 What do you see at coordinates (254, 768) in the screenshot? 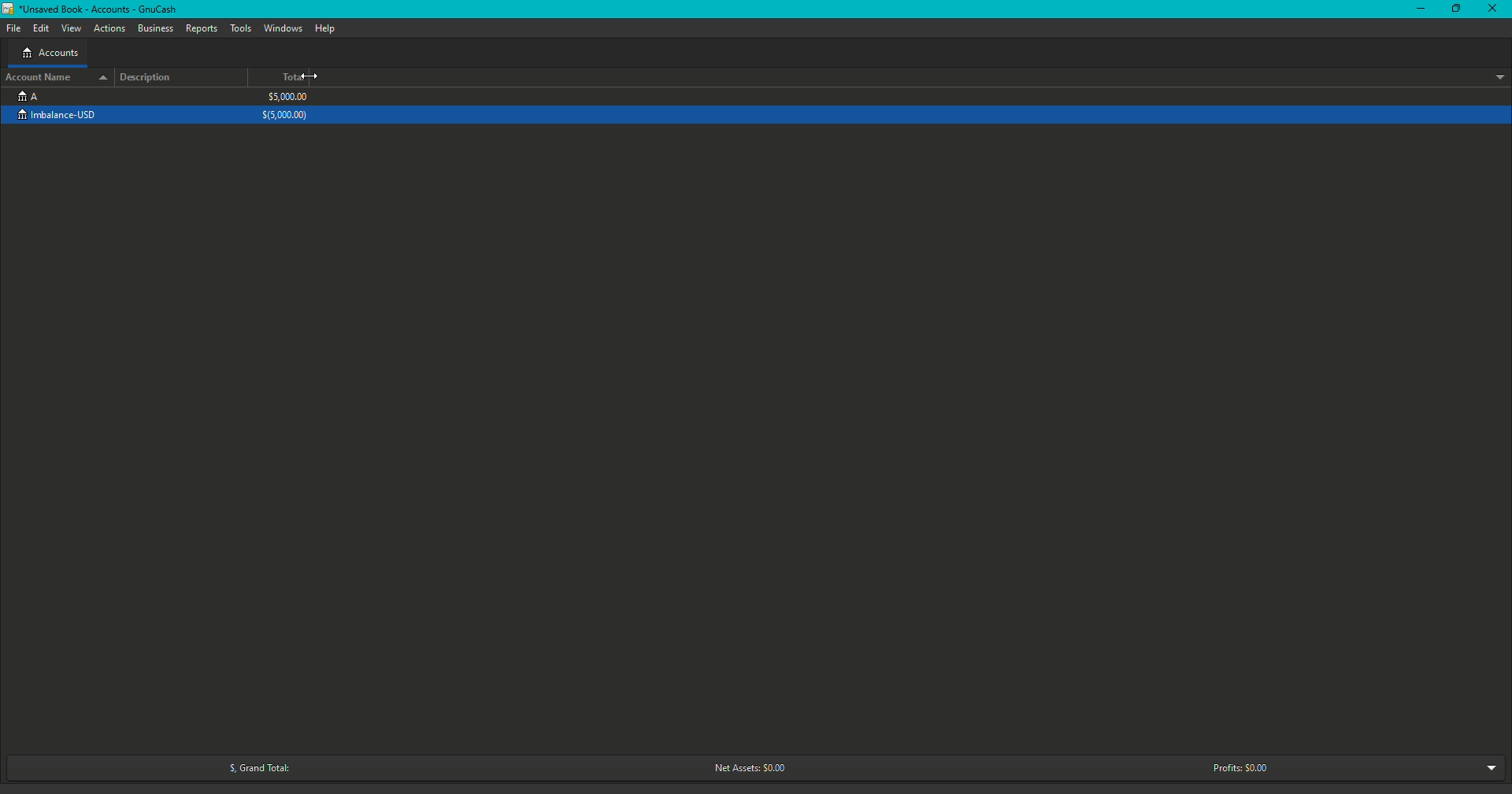
I see `Grand Total` at bounding box center [254, 768].